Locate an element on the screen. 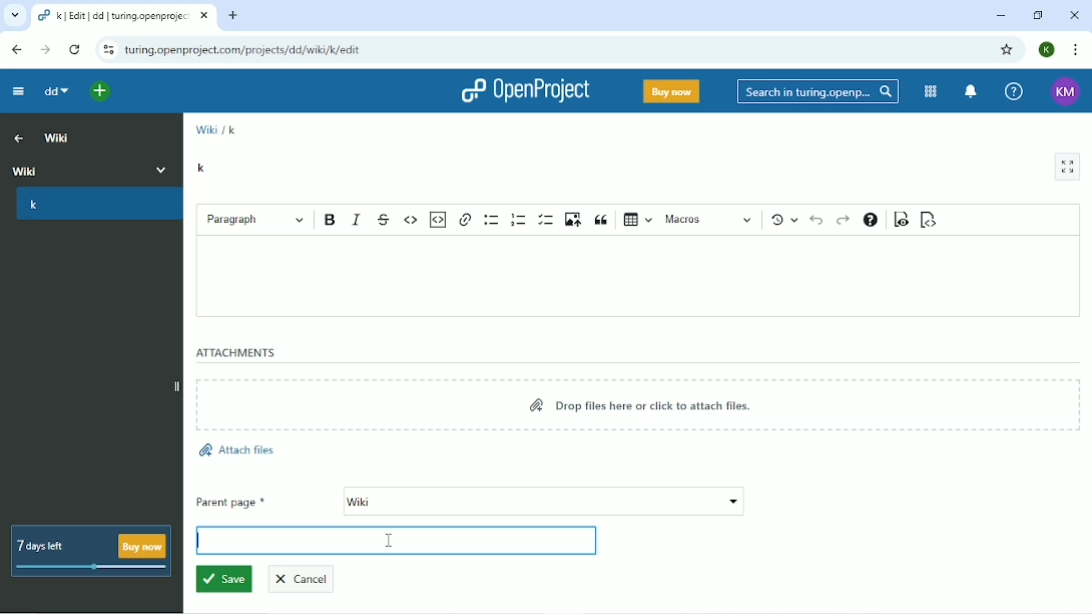 This screenshot has height=614, width=1092. New tab is located at coordinates (235, 15).